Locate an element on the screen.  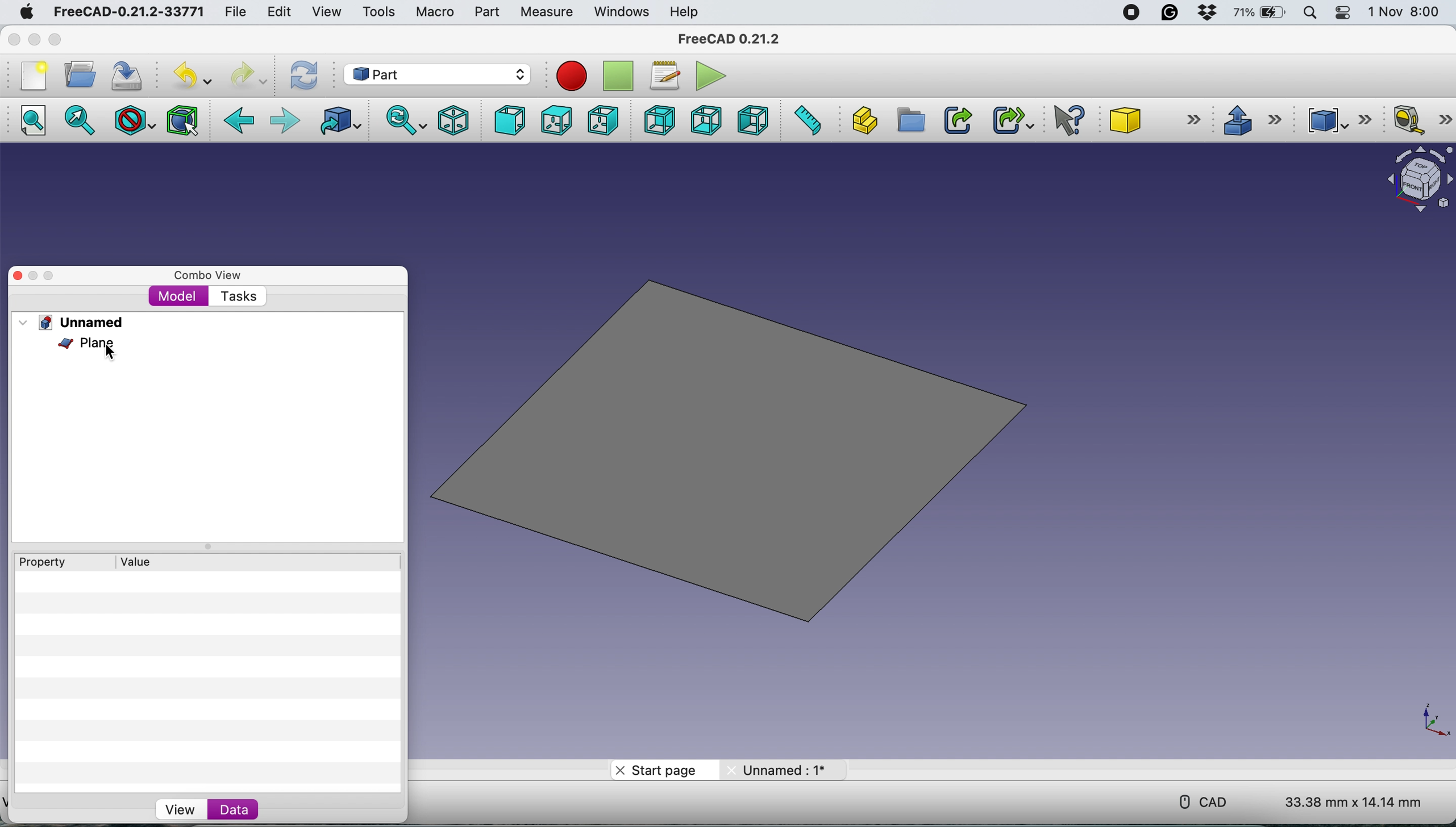
view is located at coordinates (176, 808).